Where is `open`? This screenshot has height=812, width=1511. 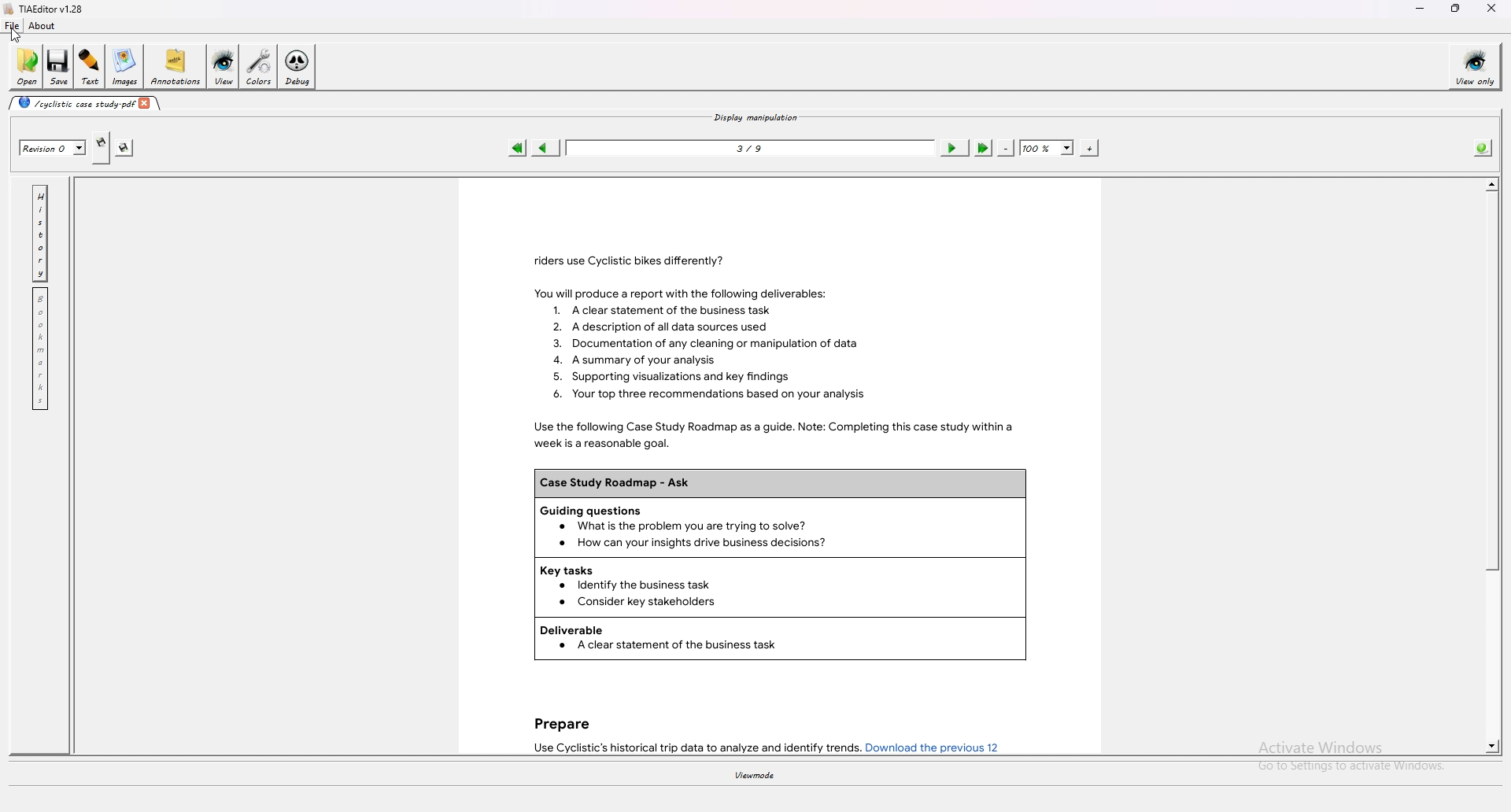
open is located at coordinates (26, 67).